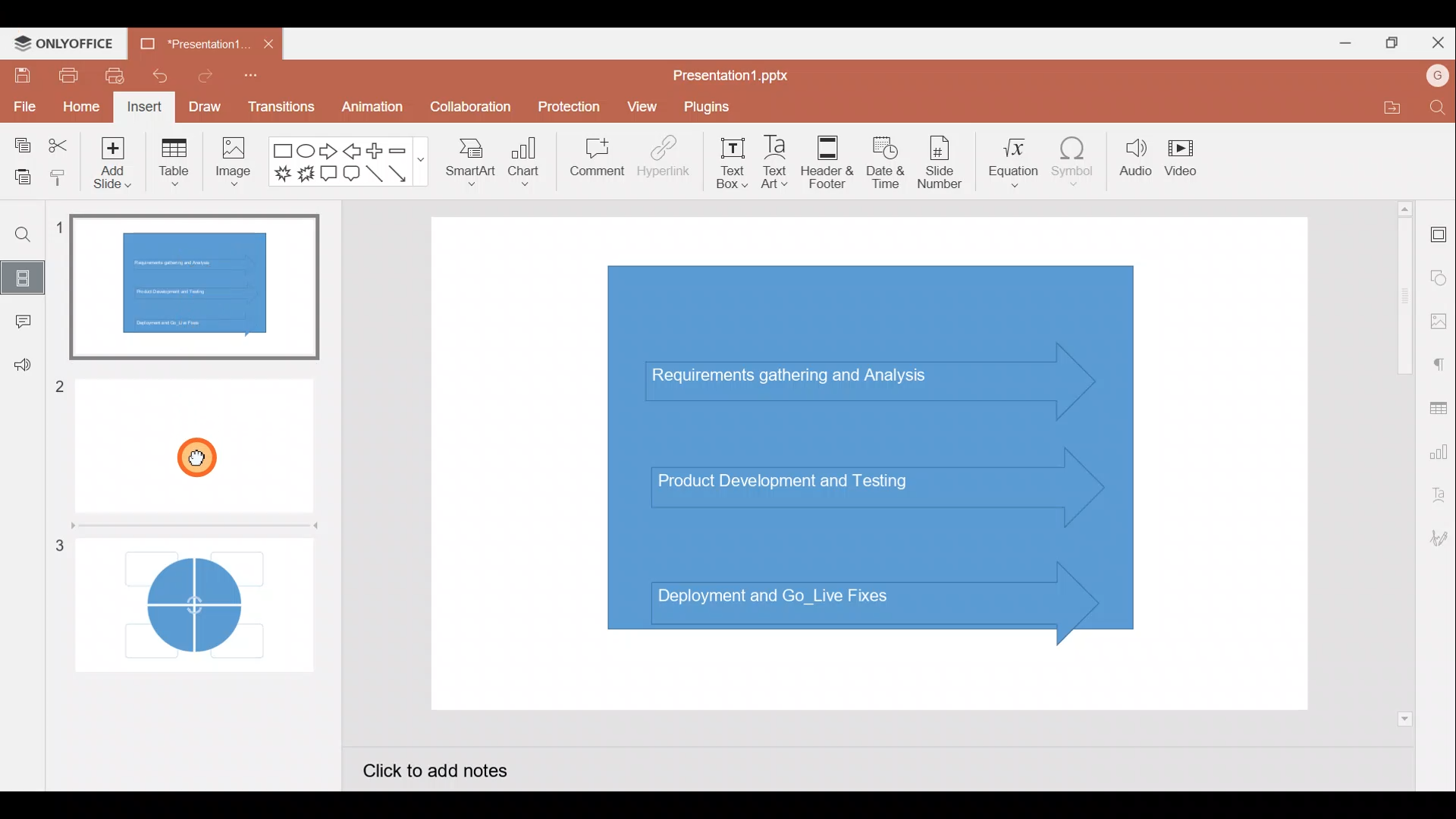 The image size is (1456, 819). I want to click on Explosion 1, so click(281, 172).